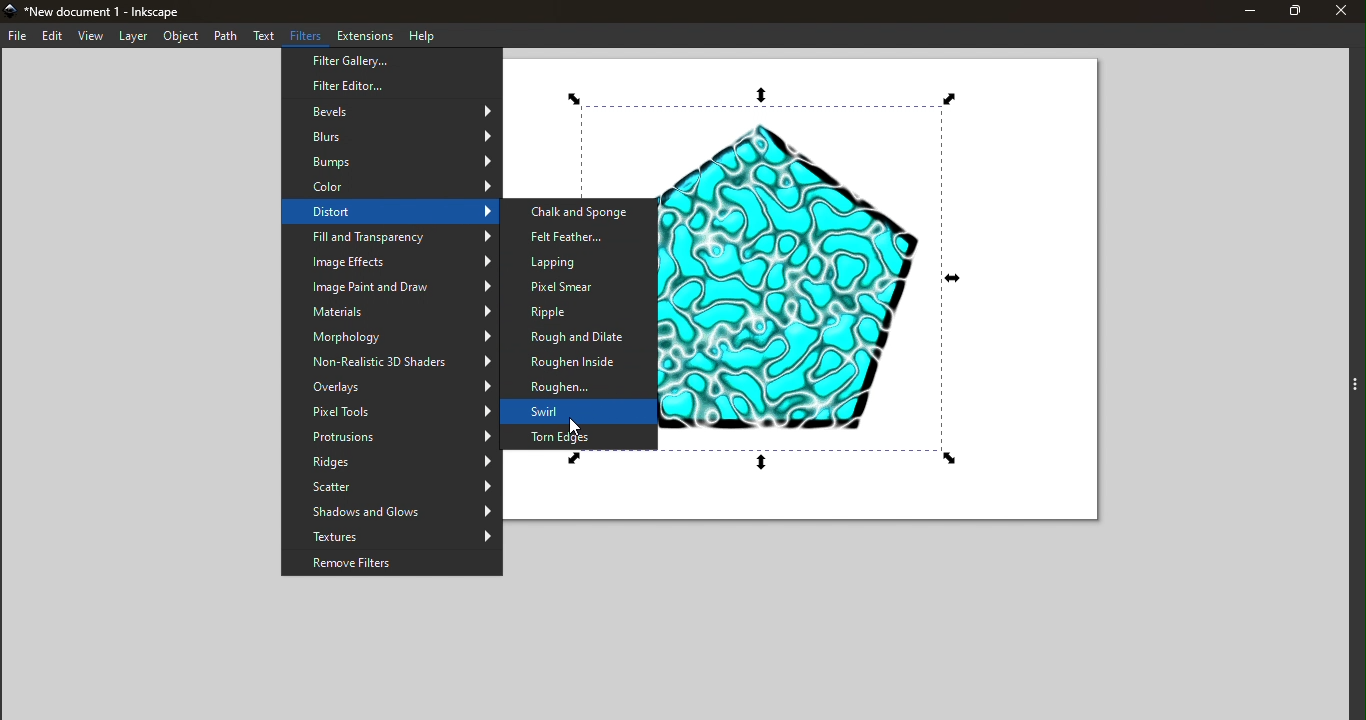 The width and height of the screenshot is (1366, 720). Describe the element at coordinates (391, 486) in the screenshot. I see `Scatter` at that location.